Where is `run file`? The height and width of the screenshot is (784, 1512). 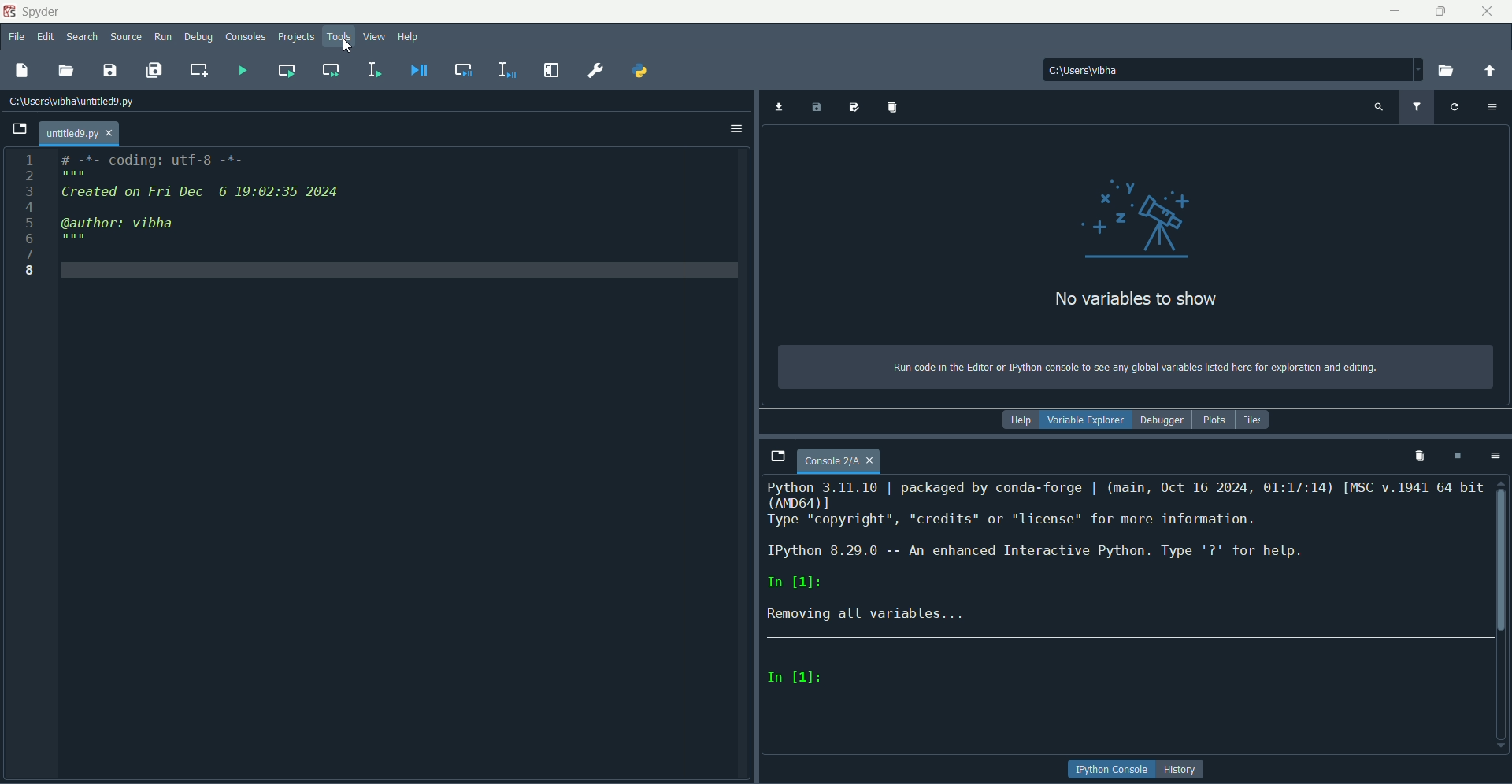 run file is located at coordinates (239, 69).